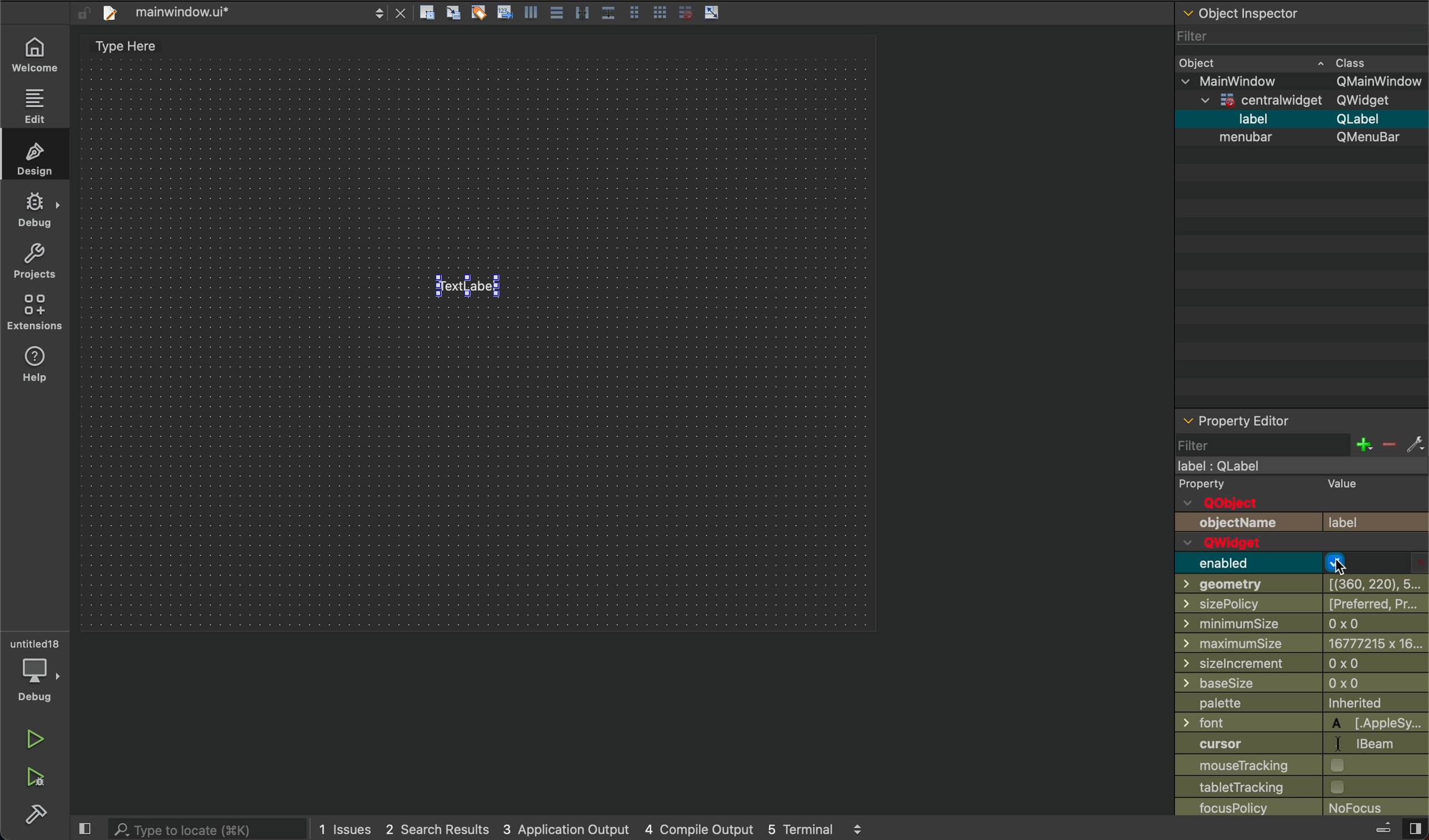  What do you see at coordinates (1379, 725) in the screenshot?
I see `applesy...` at bounding box center [1379, 725].